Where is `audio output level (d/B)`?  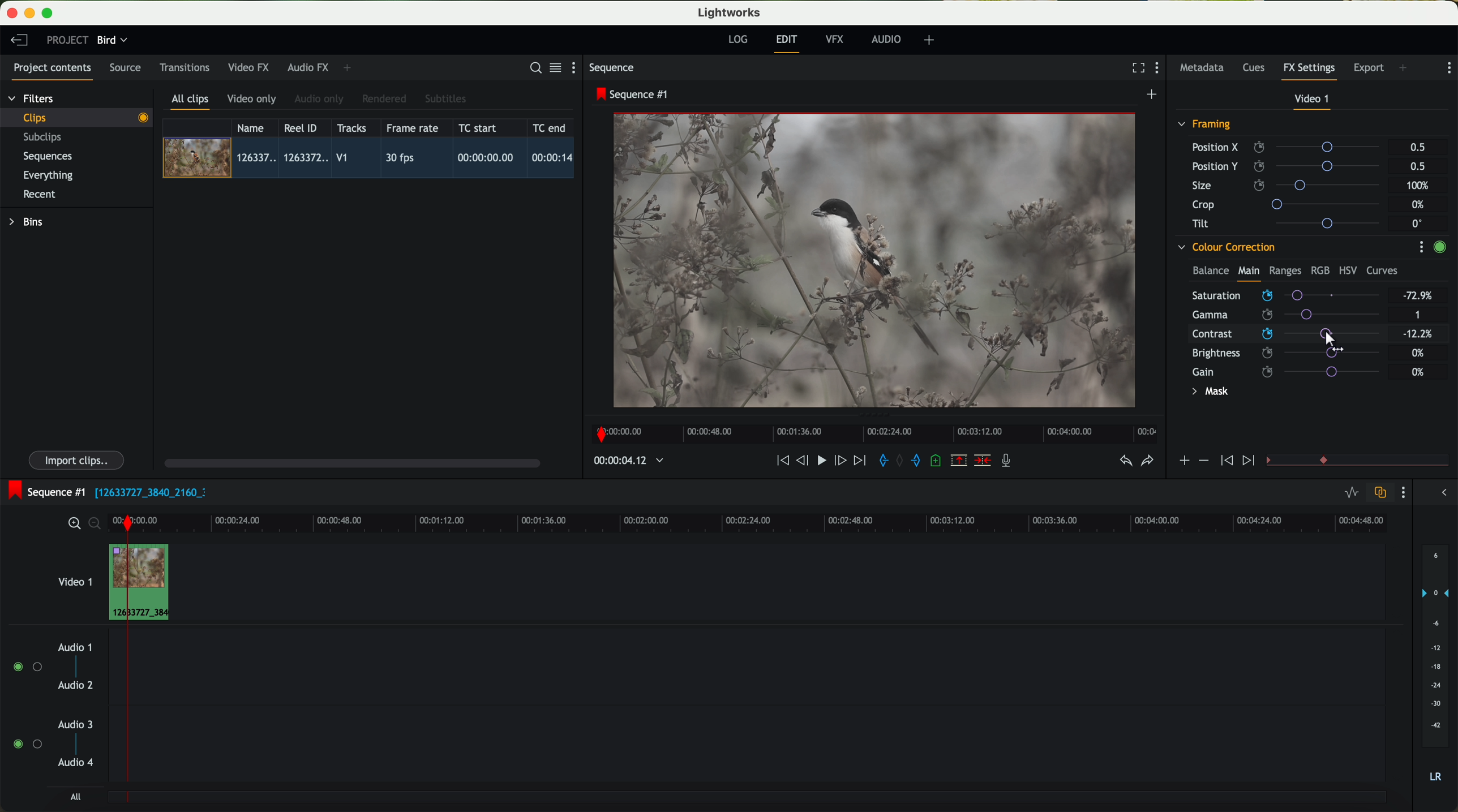 audio output level (d/B) is located at coordinates (1436, 667).